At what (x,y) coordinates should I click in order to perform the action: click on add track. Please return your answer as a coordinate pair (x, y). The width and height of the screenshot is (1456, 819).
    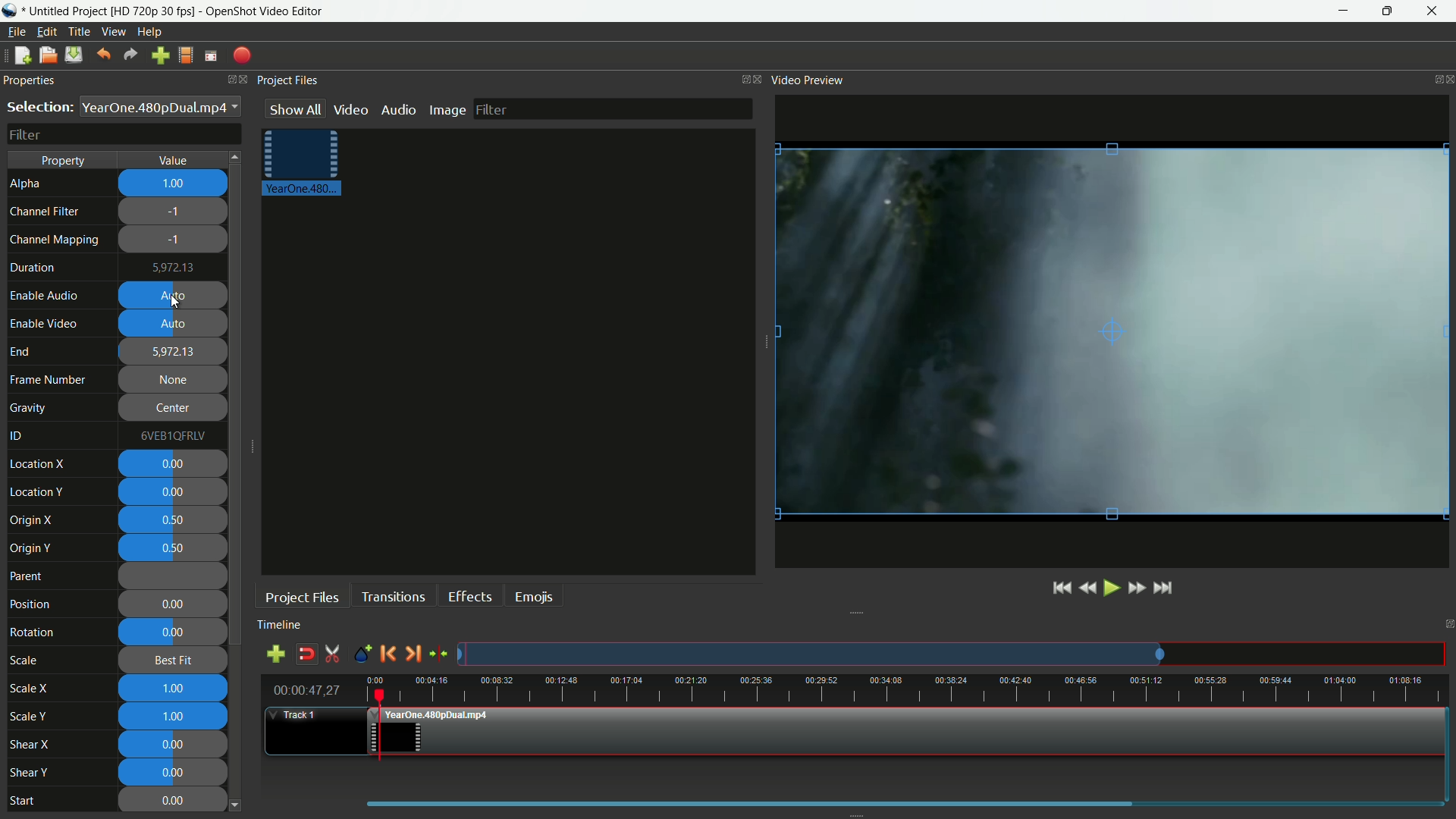
    Looking at the image, I should click on (275, 654).